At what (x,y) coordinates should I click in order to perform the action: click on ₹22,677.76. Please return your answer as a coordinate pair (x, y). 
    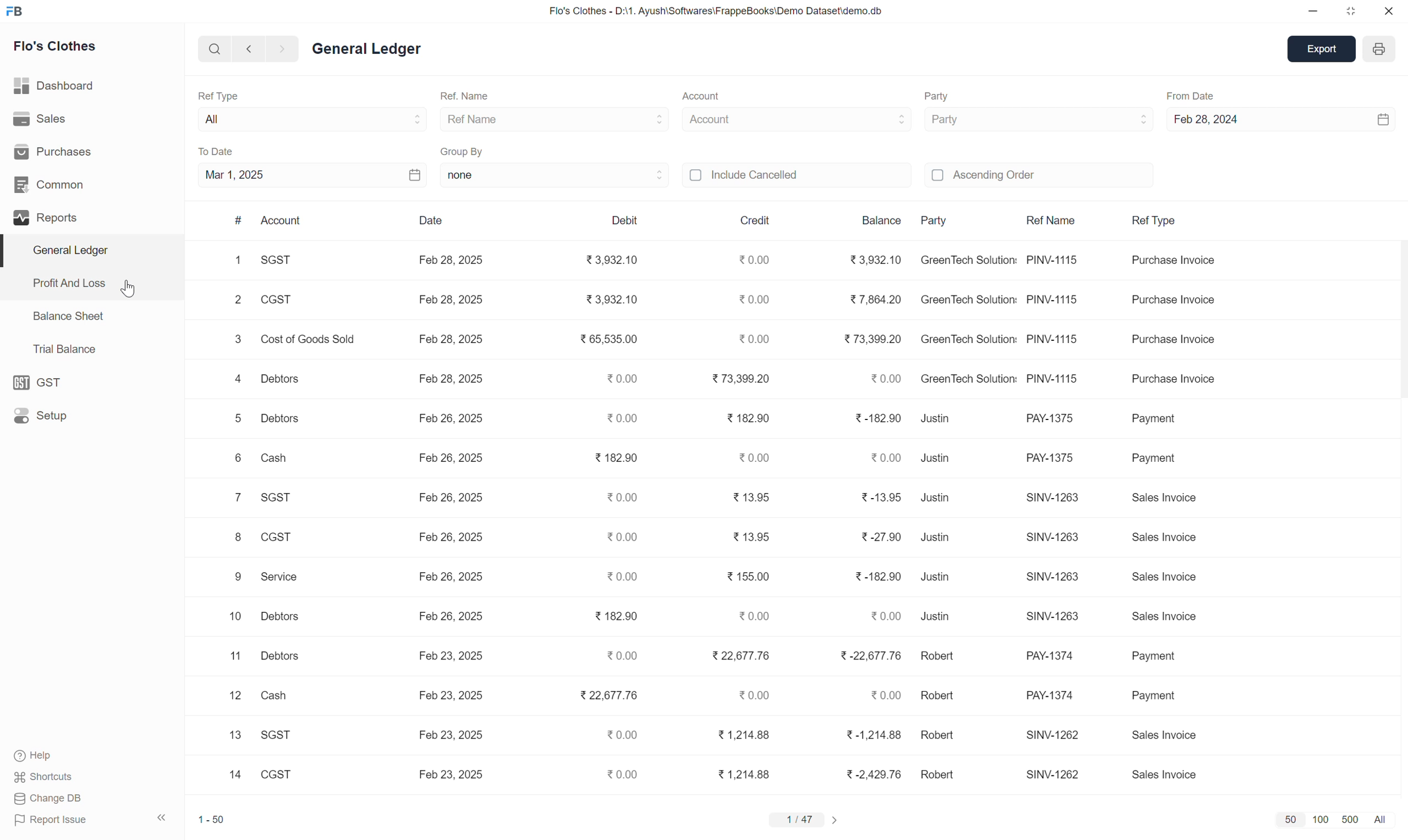
    Looking at the image, I should click on (605, 698).